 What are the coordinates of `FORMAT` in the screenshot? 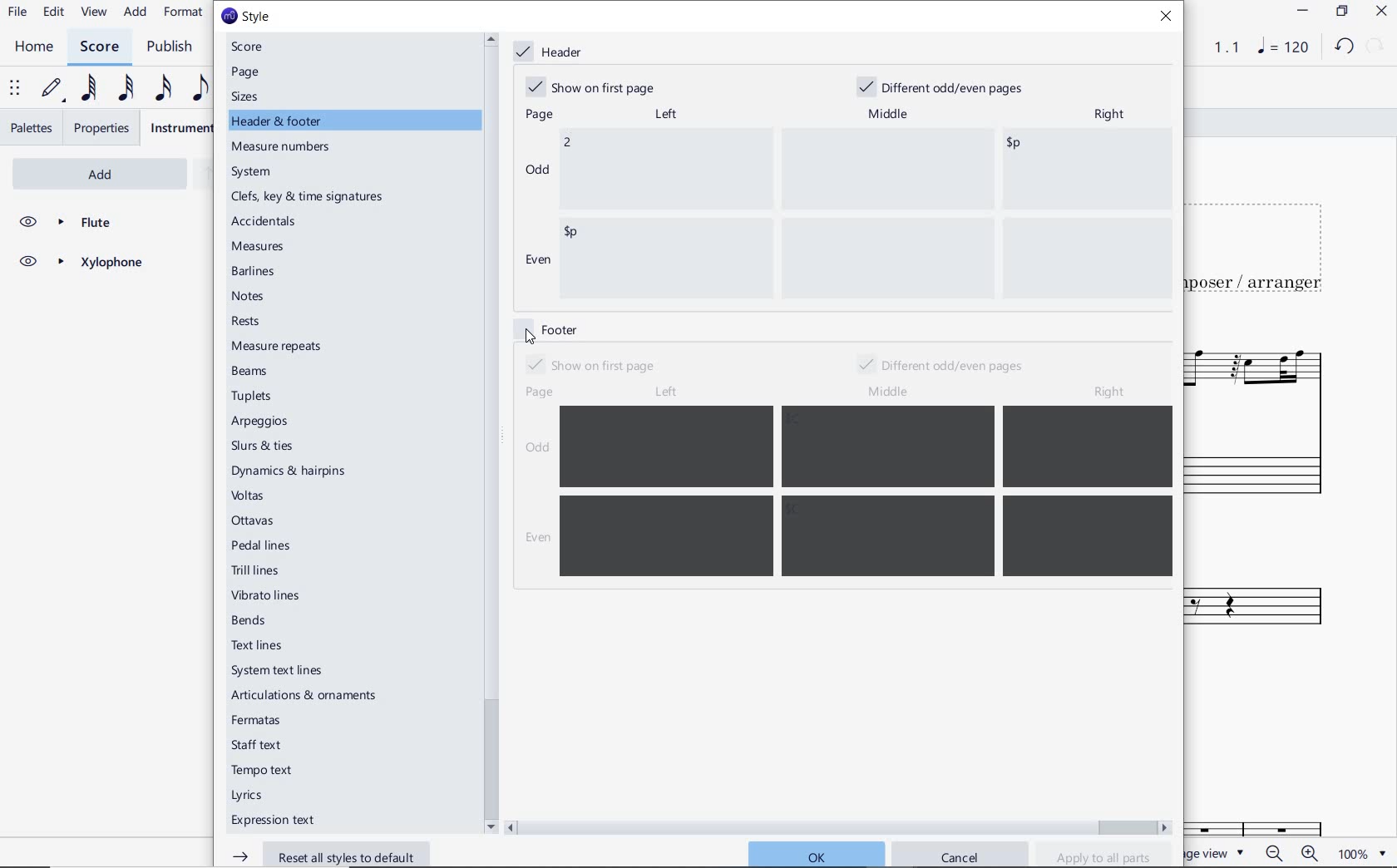 It's located at (184, 13).